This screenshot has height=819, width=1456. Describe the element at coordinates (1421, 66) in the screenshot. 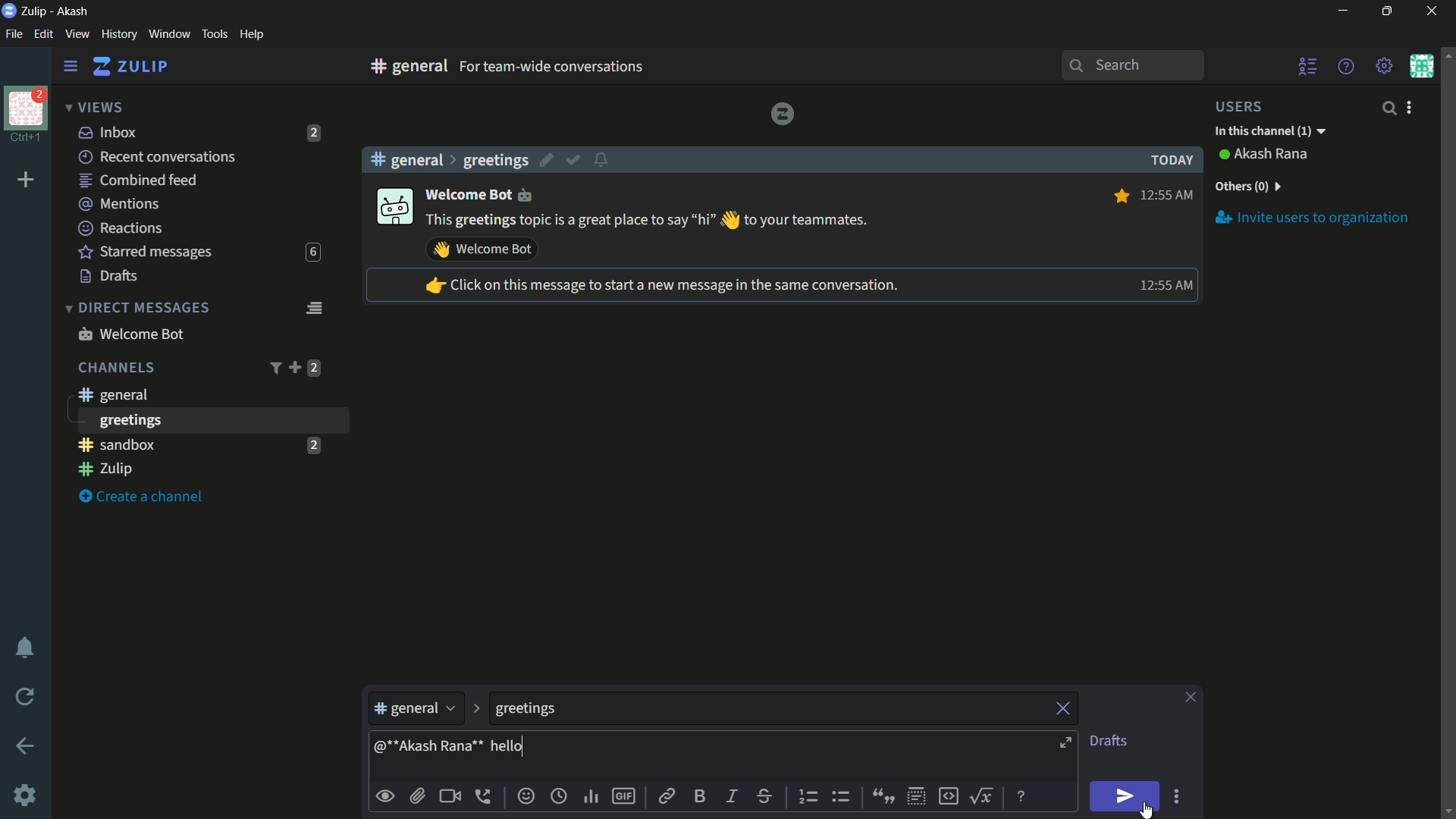

I see `personal menu` at that location.